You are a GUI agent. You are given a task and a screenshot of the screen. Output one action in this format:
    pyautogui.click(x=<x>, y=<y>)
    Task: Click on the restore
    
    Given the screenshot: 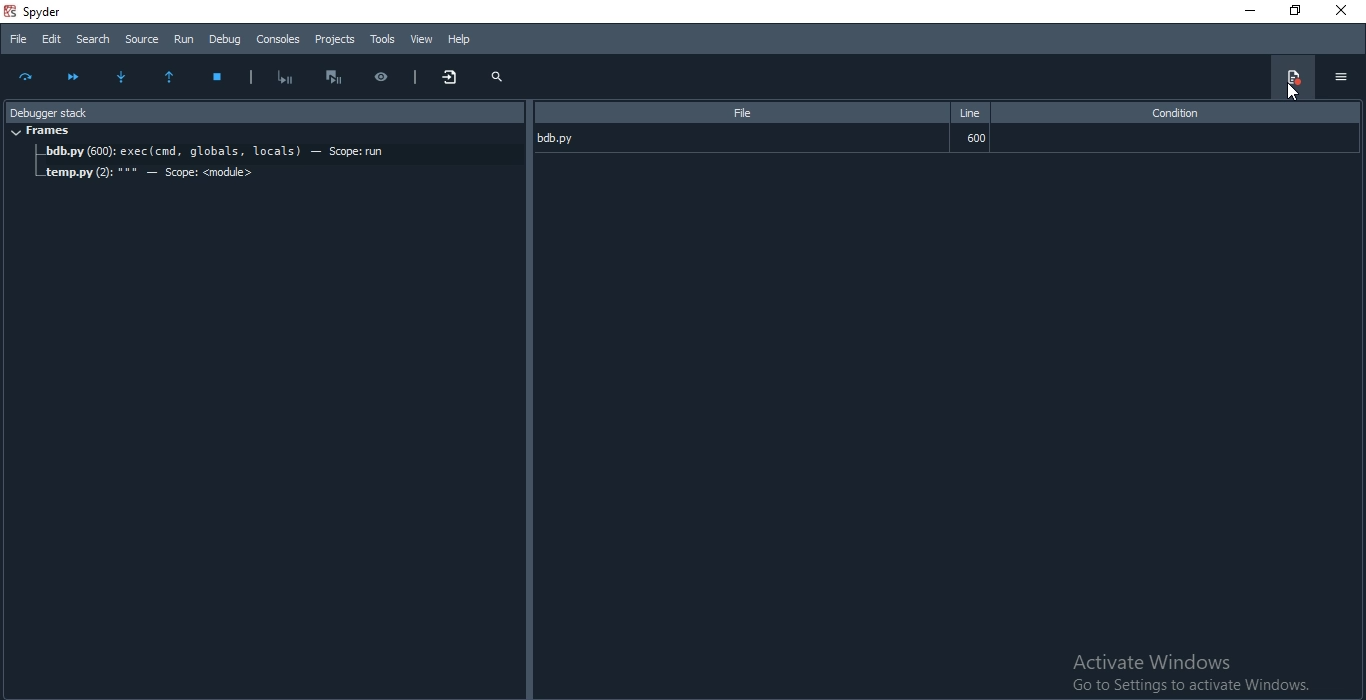 What is the action you would take?
    pyautogui.click(x=1290, y=11)
    